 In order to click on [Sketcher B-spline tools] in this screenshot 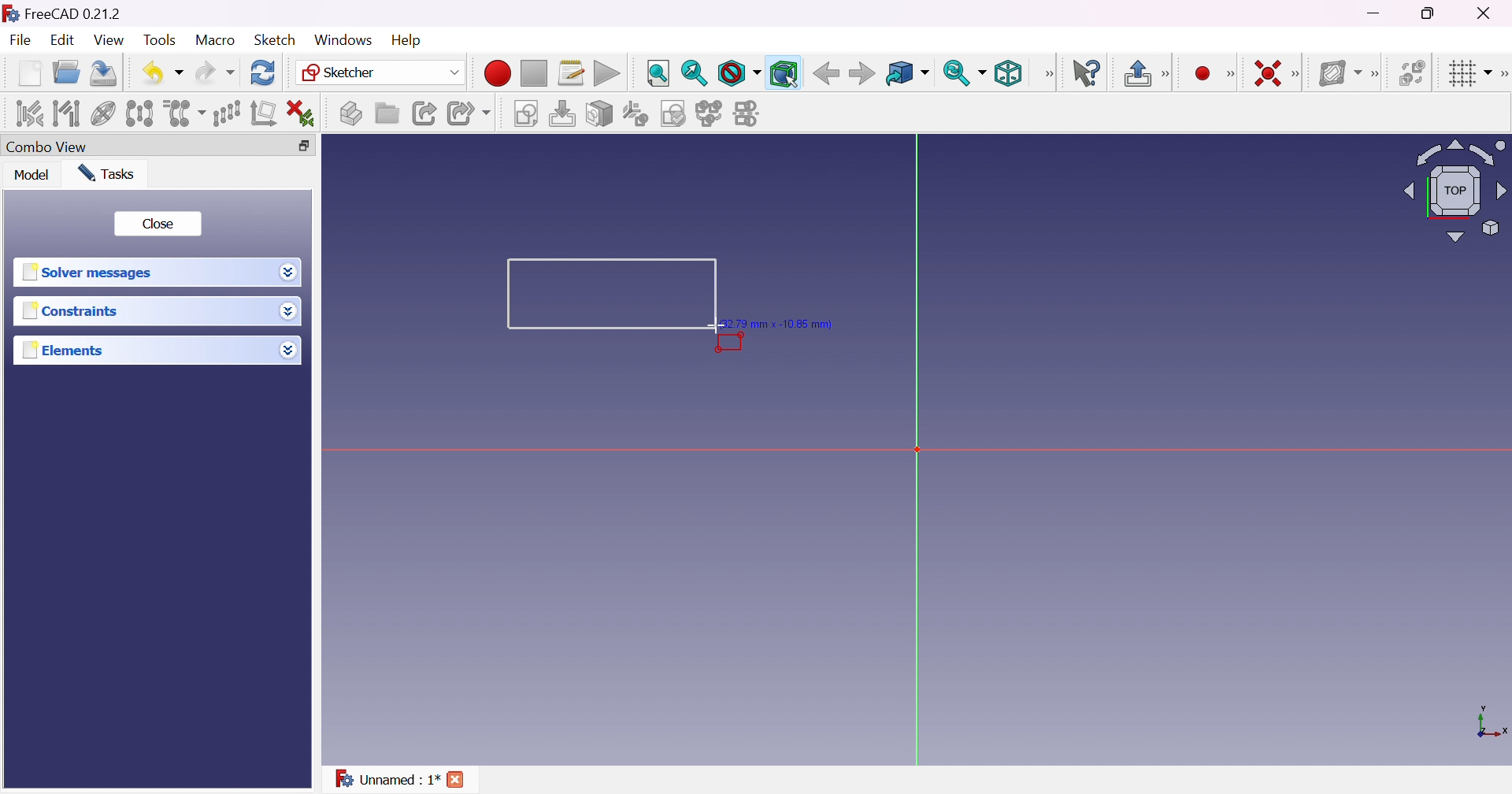, I will do `click(1377, 74)`.